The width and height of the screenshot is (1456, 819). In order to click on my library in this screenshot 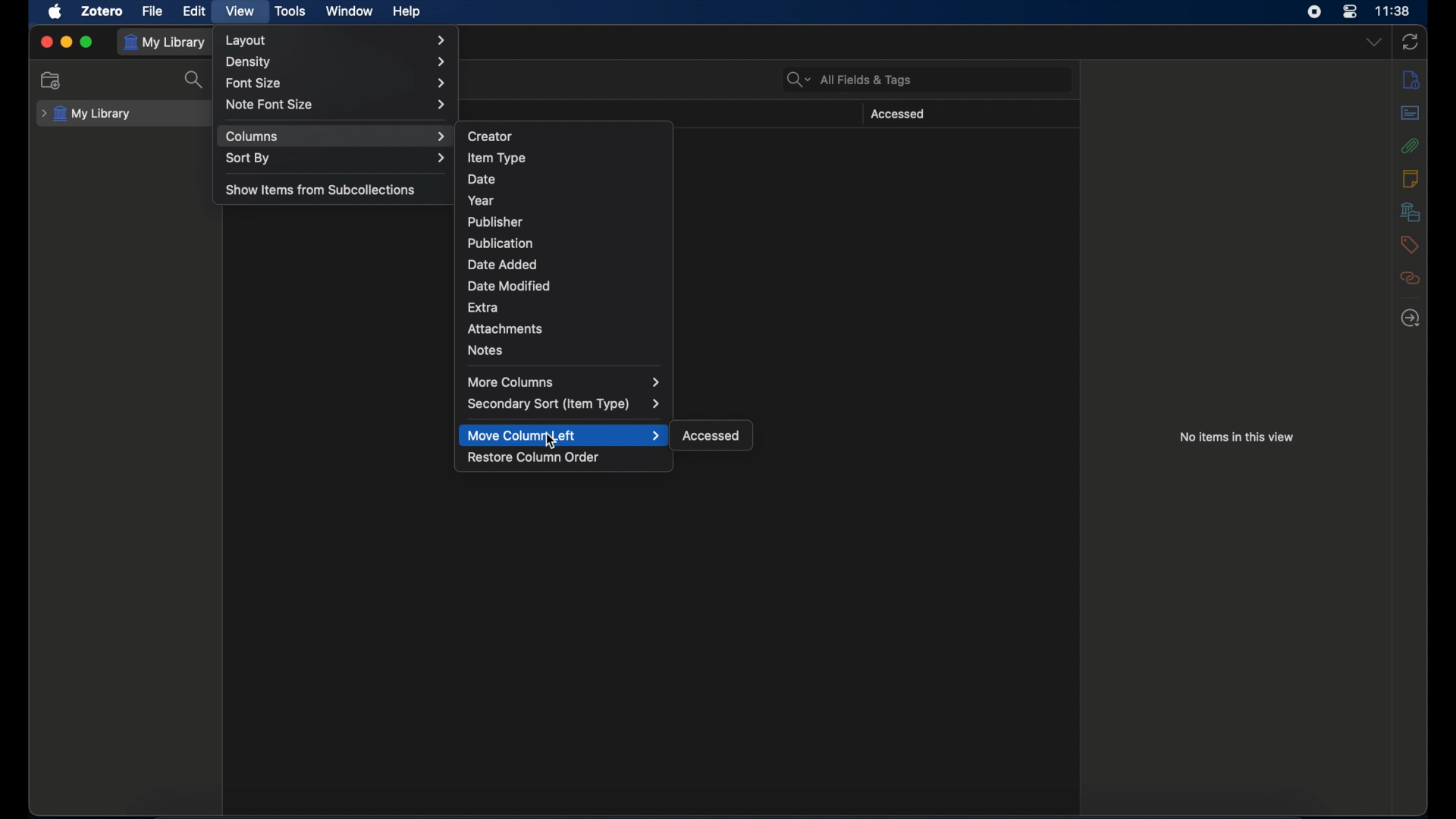, I will do `click(86, 114)`.